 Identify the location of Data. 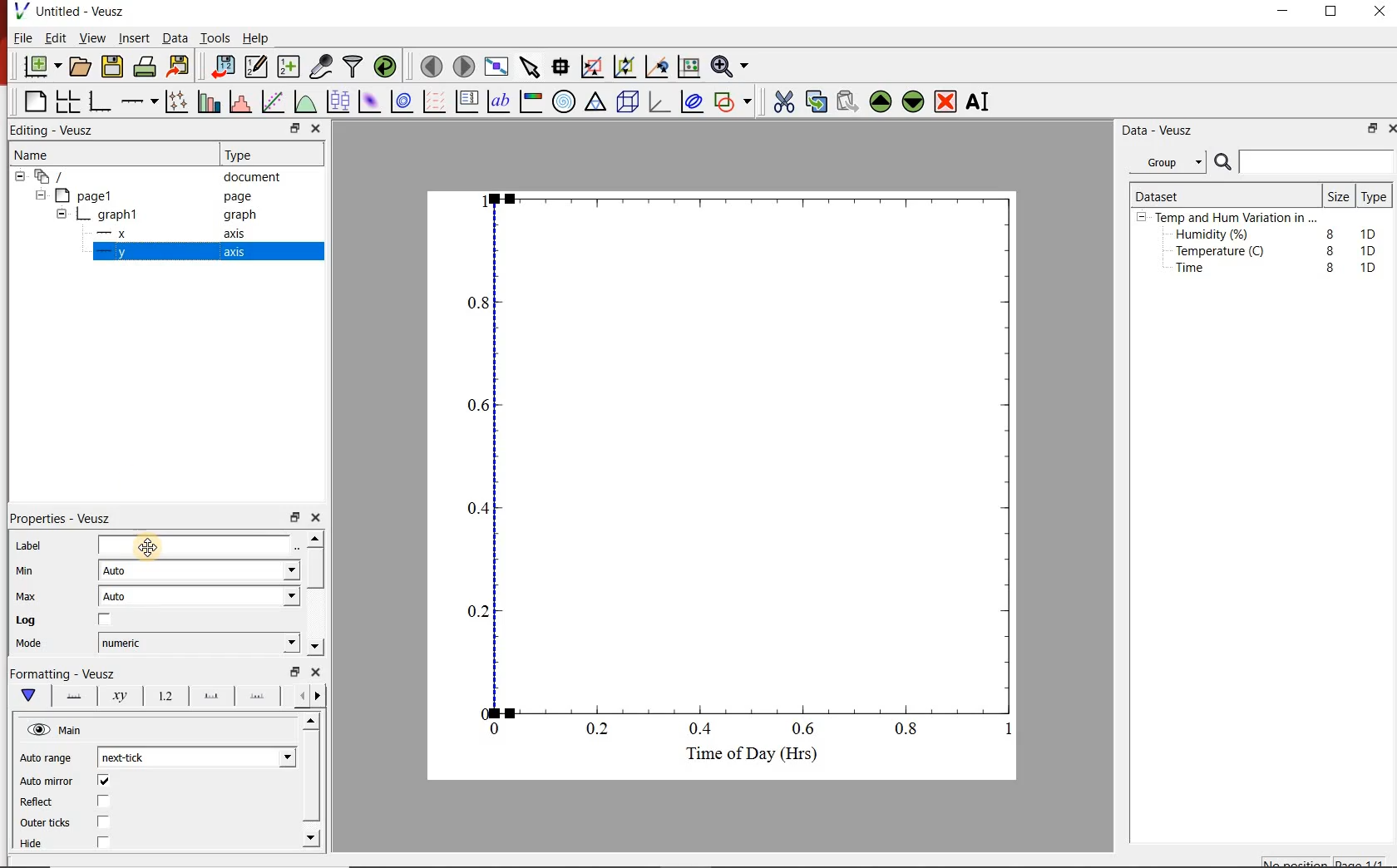
(171, 38).